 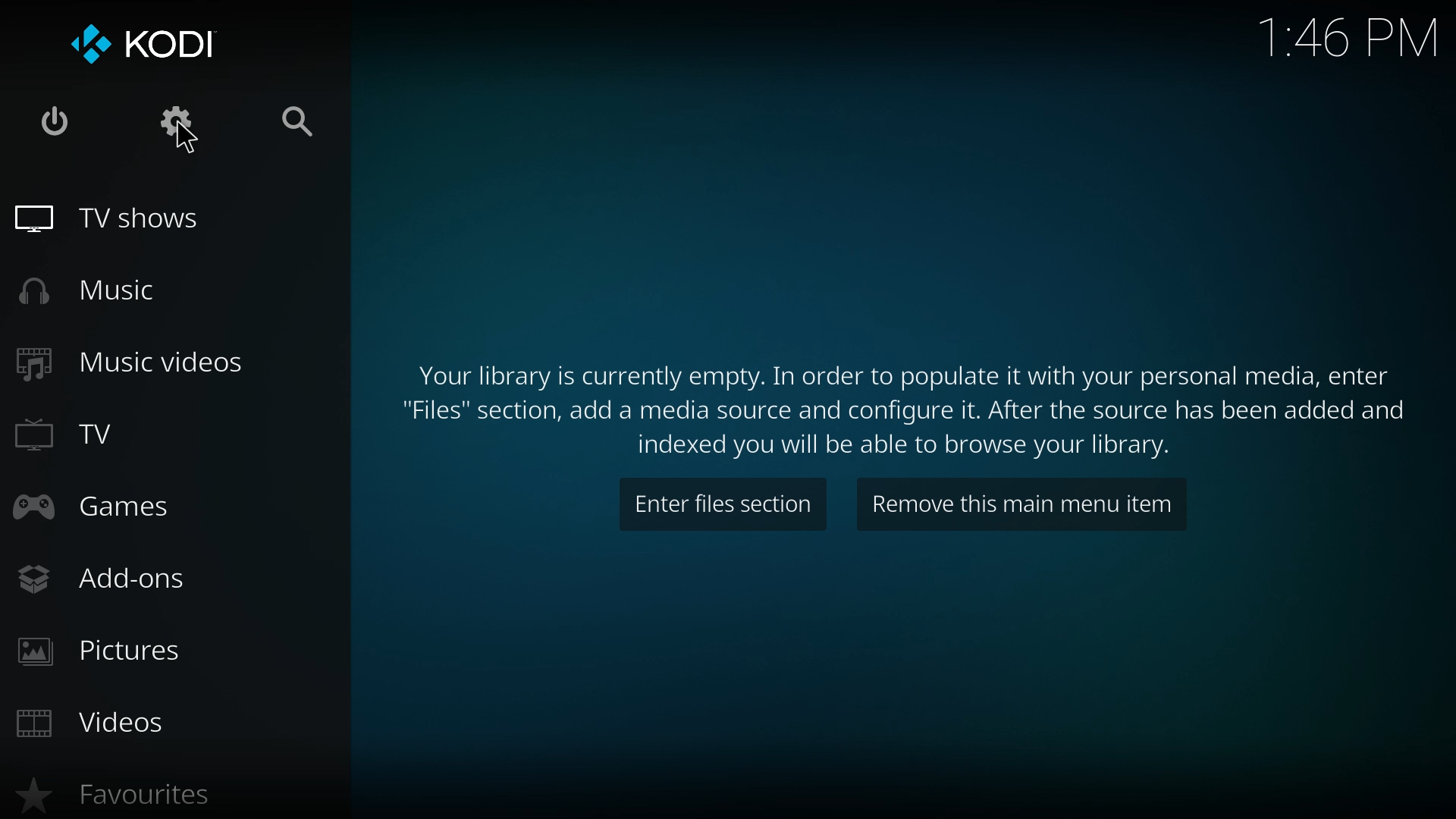 What do you see at coordinates (143, 365) in the screenshot?
I see `music videos` at bounding box center [143, 365].